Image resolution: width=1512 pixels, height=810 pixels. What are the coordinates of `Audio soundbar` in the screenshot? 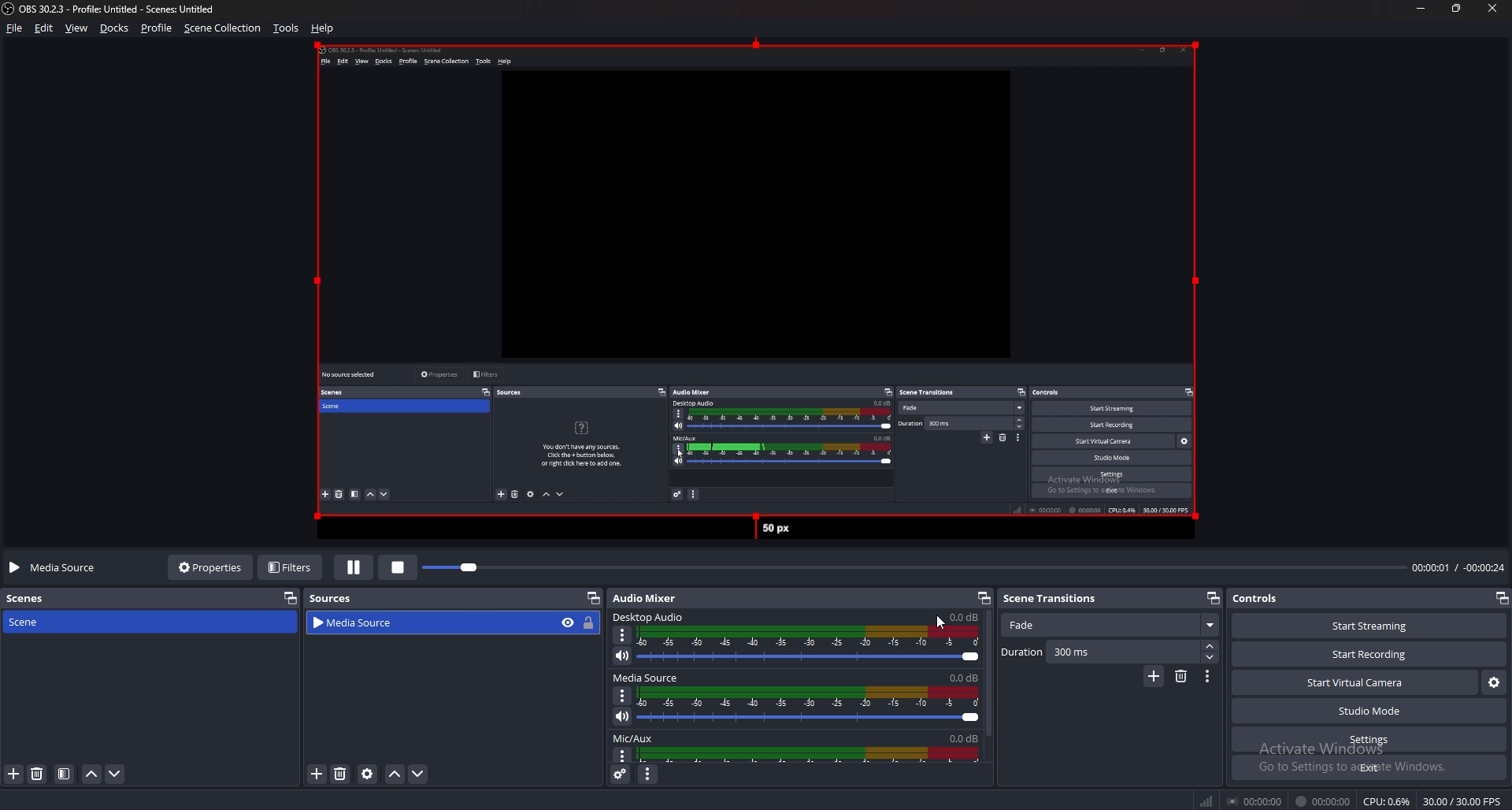 It's located at (813, 645).